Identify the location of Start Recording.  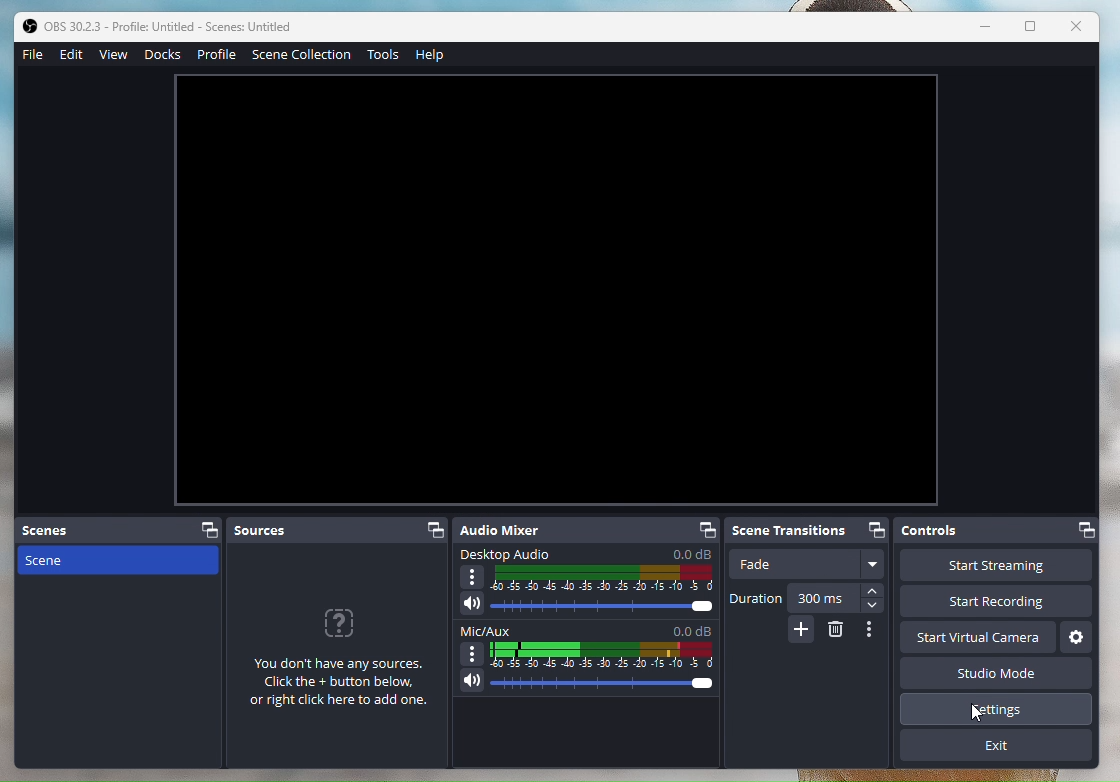
(994, 602).